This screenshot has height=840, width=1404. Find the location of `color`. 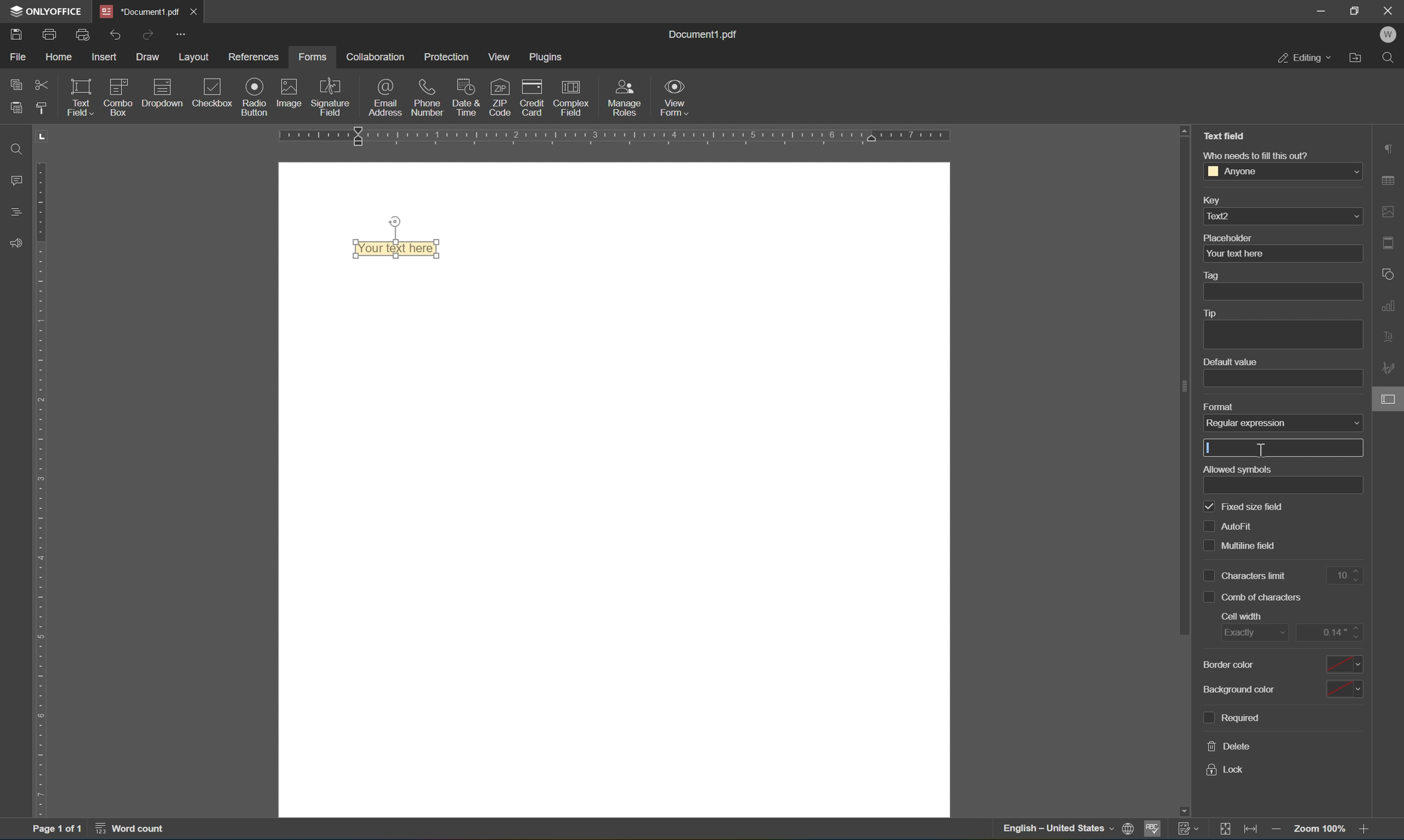

color is located at coordinates (1346, 665).